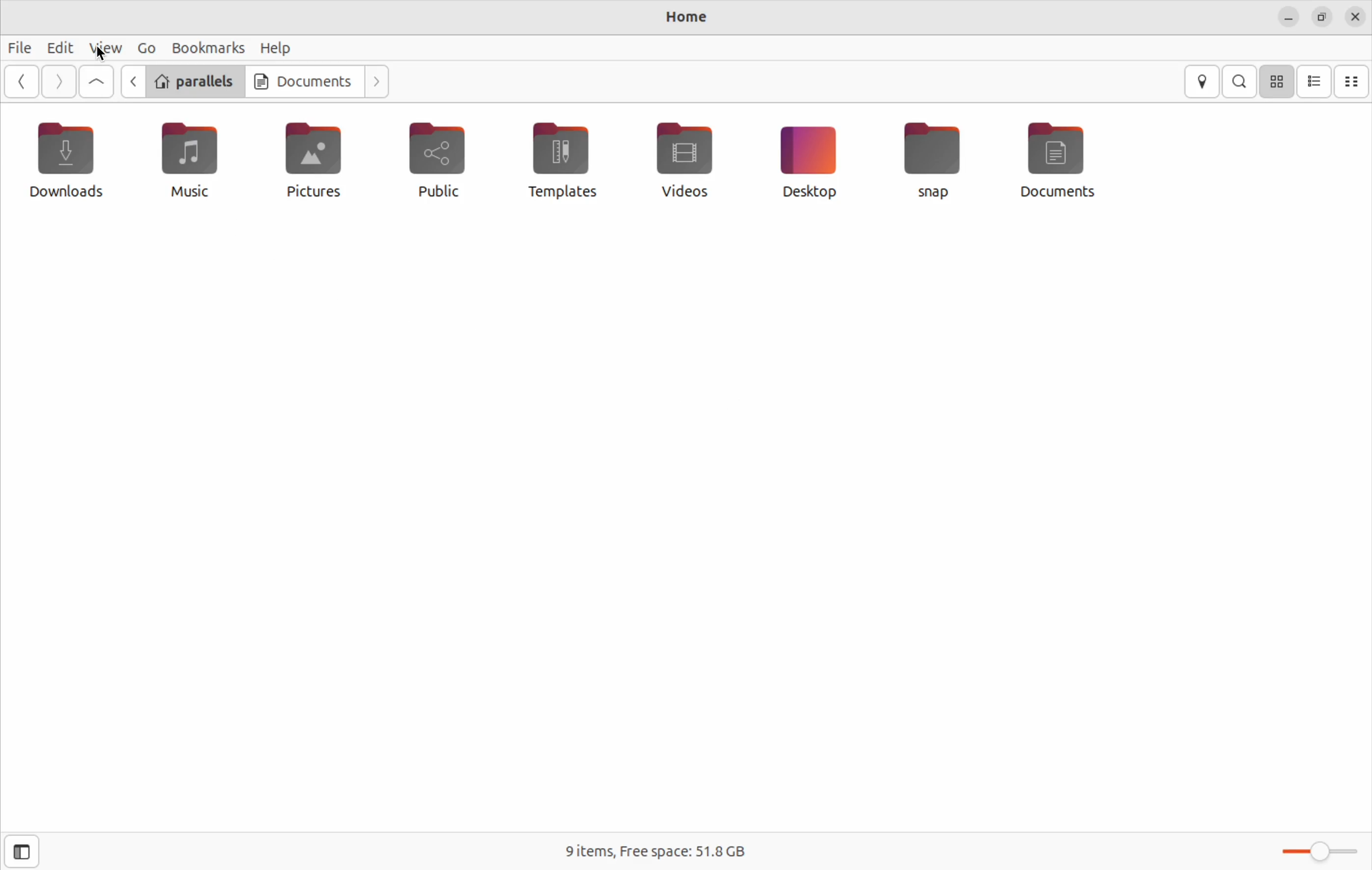 This screenshot has height=870, width=1372. Describe the element at coordinates (375, 79) in the screenshot. I see `Go next` at that location.